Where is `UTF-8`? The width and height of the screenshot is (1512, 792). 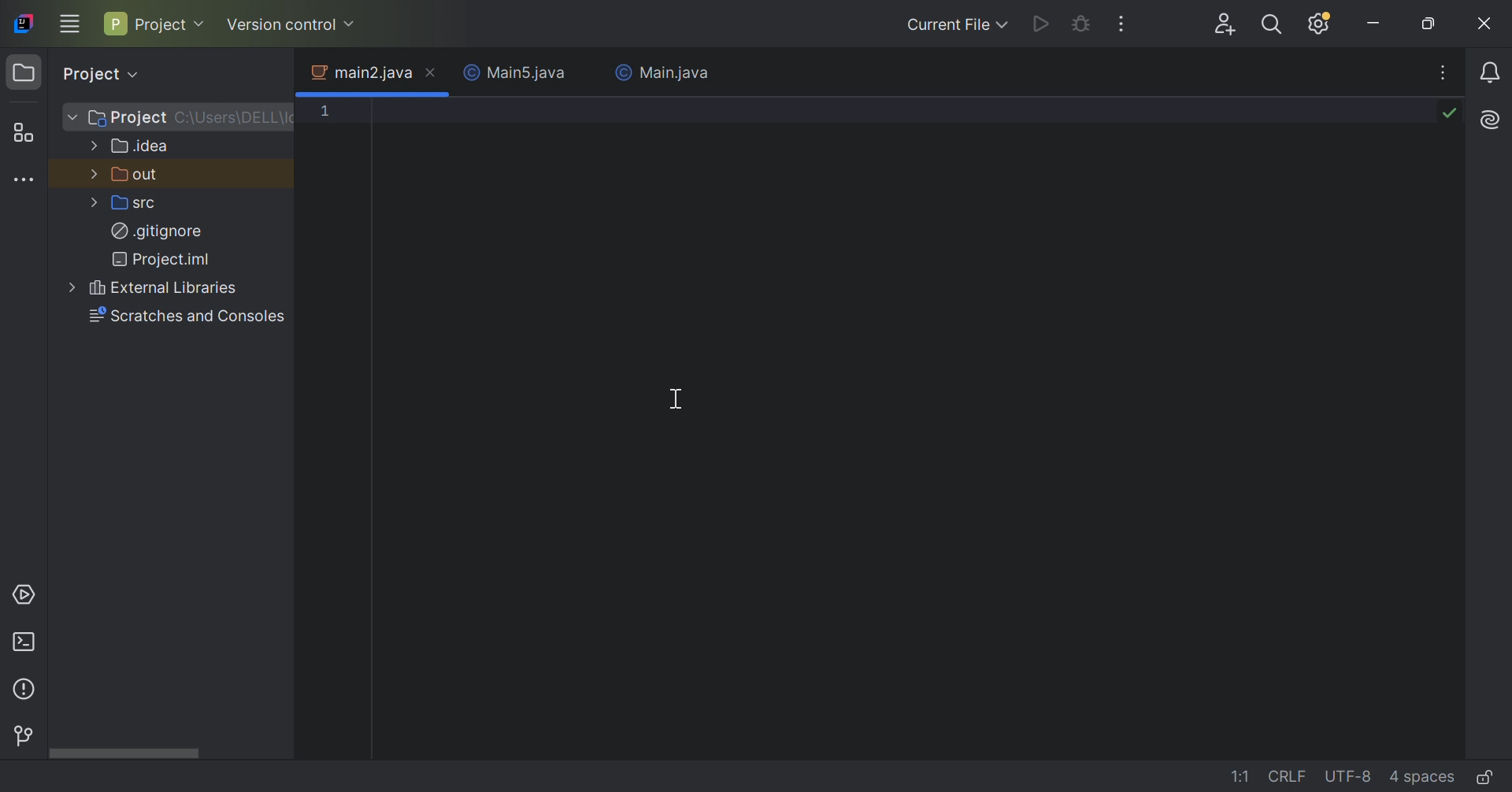 UTF-8 is located at coordinates (1352, 777).